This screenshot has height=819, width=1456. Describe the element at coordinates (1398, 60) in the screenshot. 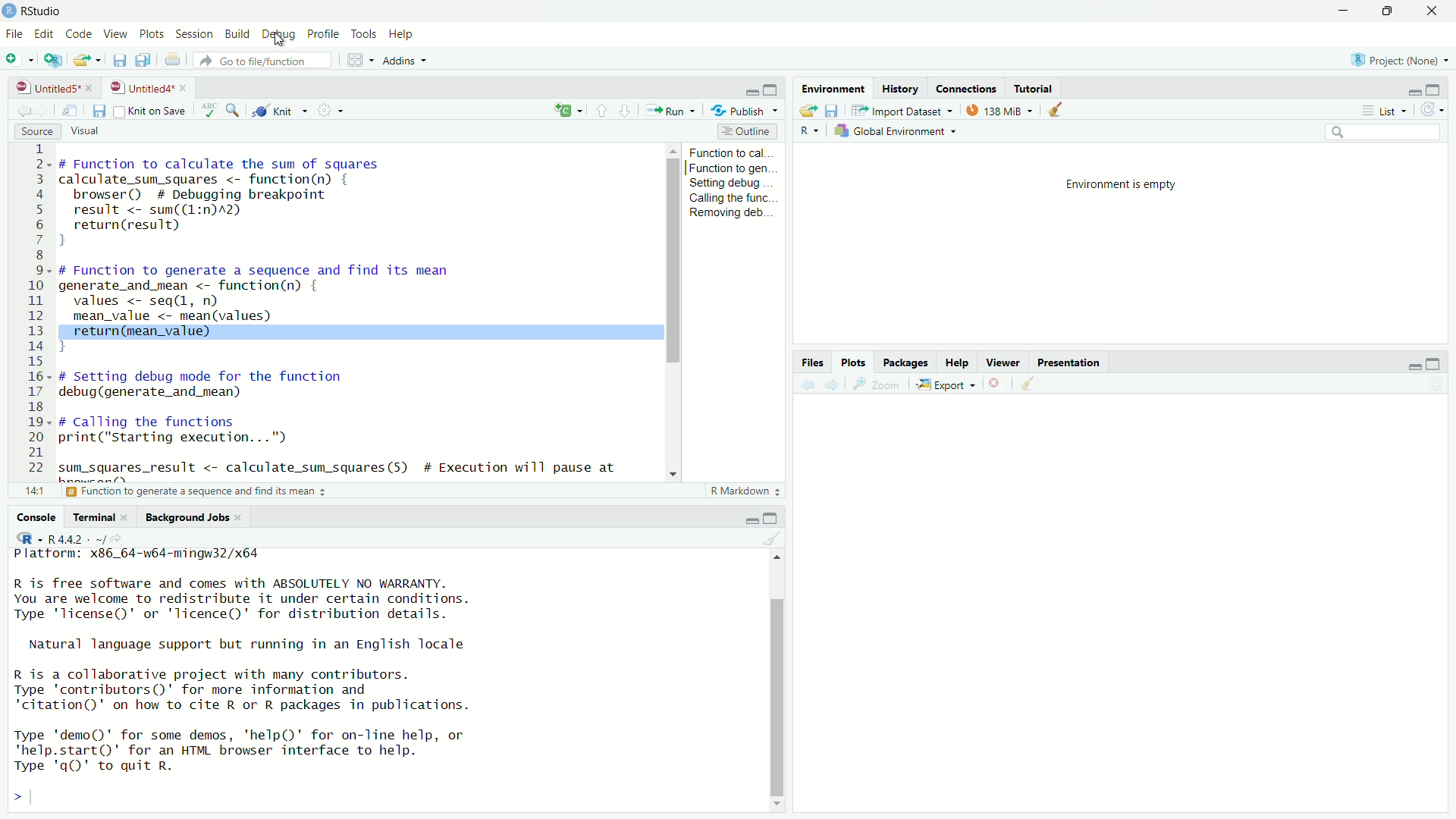

I see `Project: (None)` at that location.